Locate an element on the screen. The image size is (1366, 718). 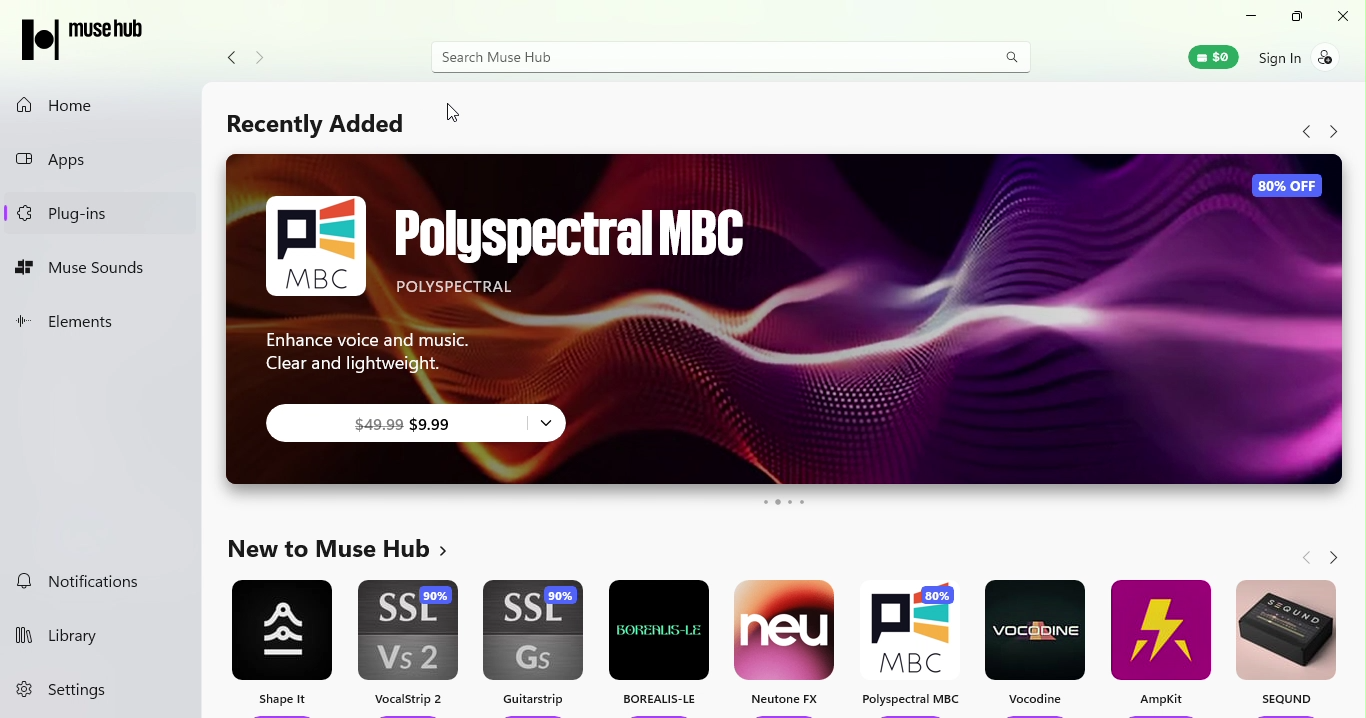
Borealis-le is located at coordinates (659, 649).